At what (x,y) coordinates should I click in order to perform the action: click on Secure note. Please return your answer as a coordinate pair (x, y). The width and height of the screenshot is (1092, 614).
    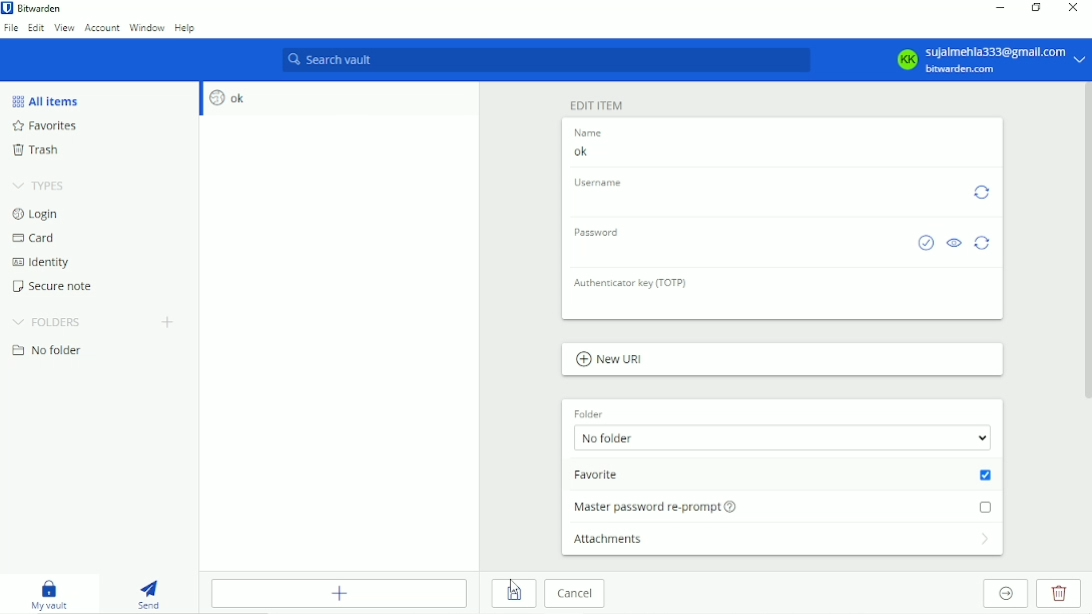
    Looking at the image, I should click on (57, 286).